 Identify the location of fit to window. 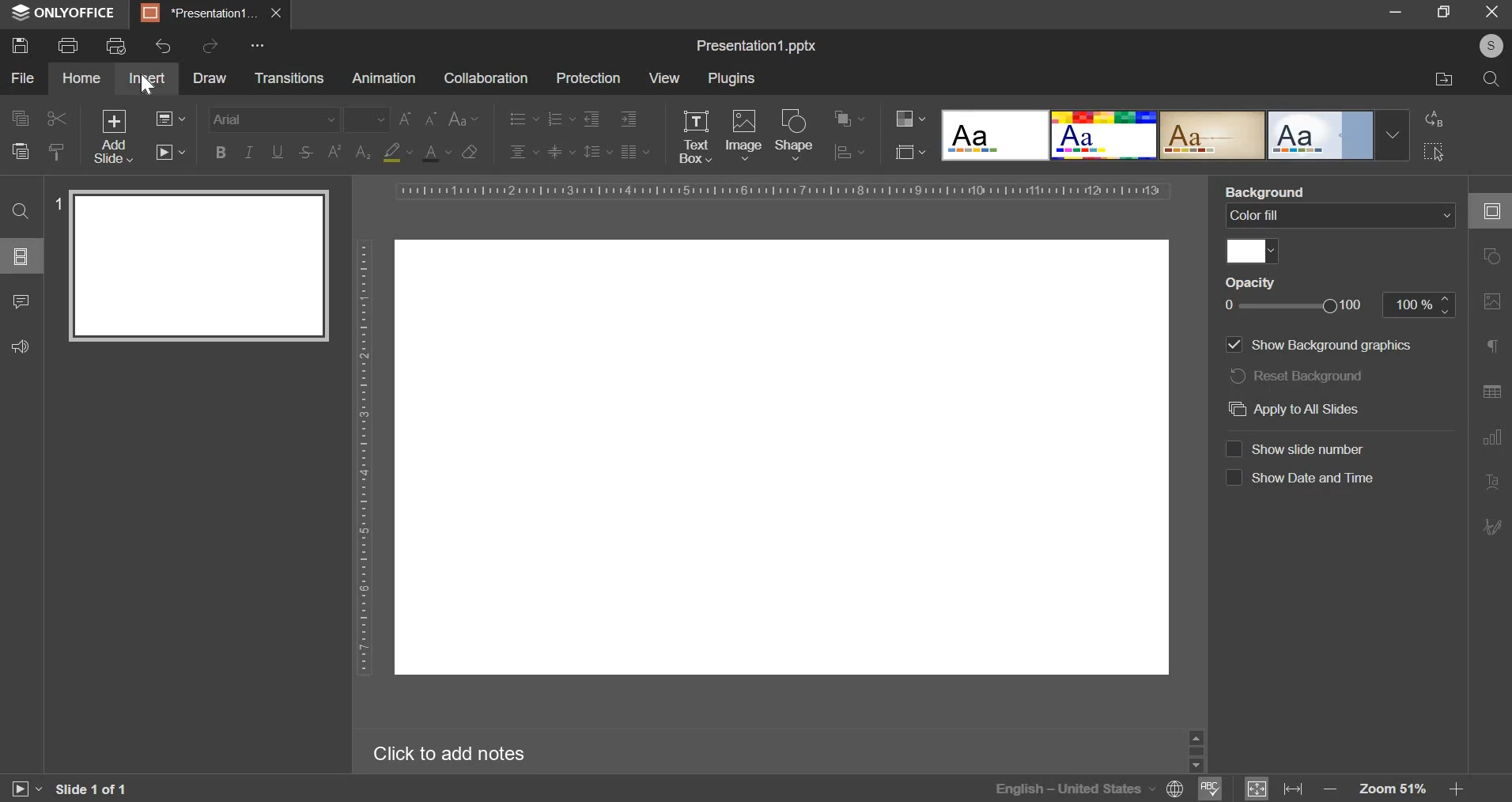
(1257, 789).